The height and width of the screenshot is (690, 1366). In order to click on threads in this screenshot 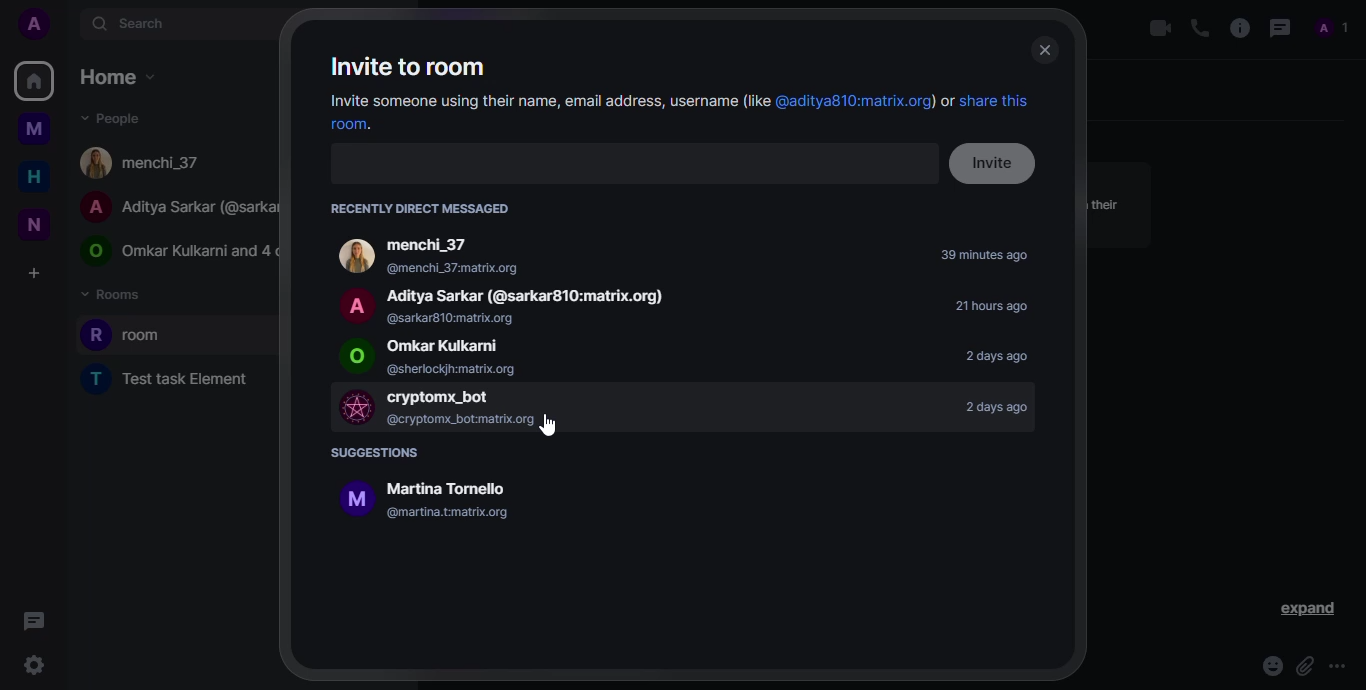, I will do `click(33, 621)`.